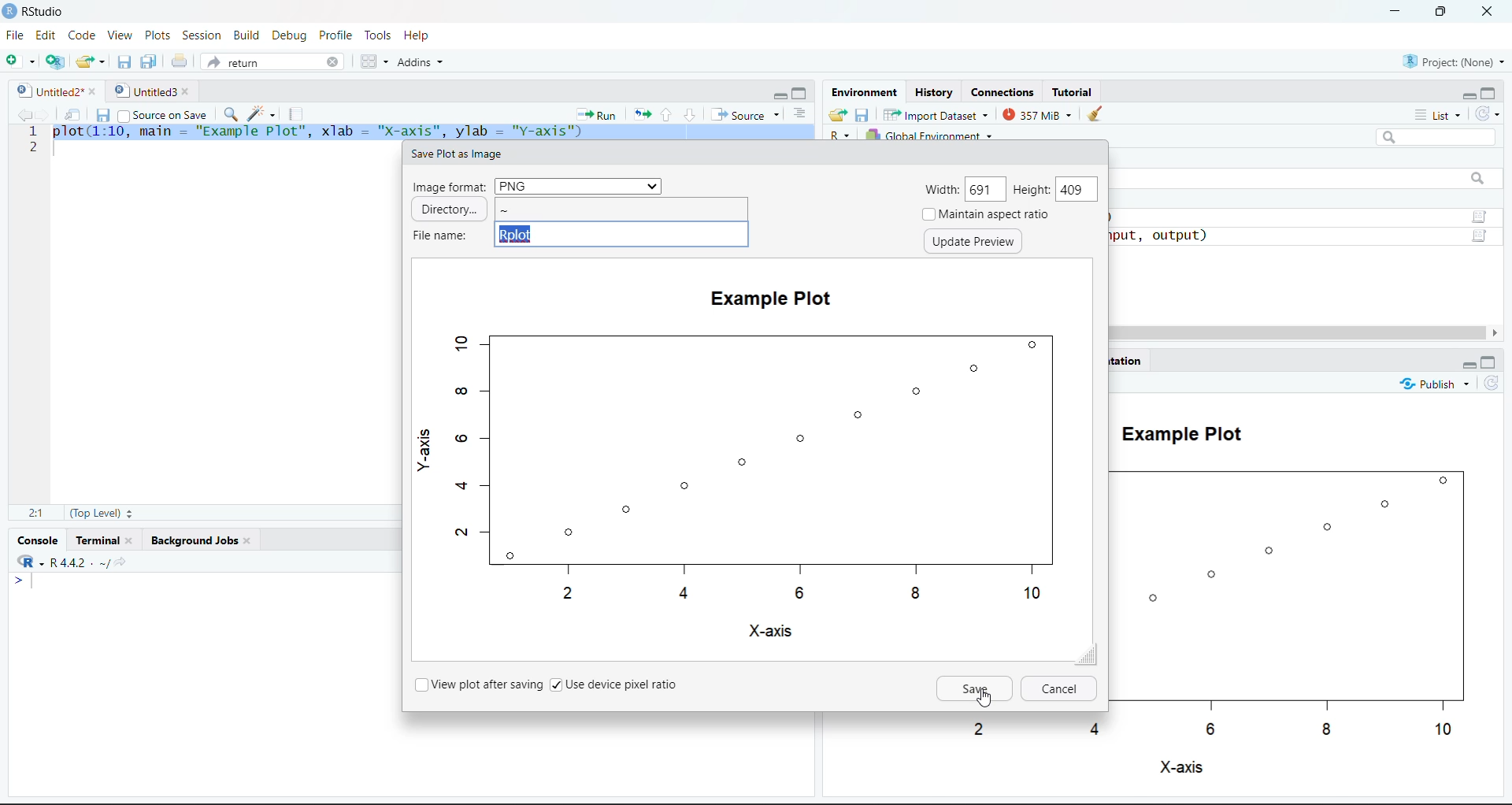 Image resolution: width=1512 pixels, height=805 pixels. What do you see at coordinates (246, 34) in the screenshot?
I see `Build` at bounding box center [246, 34].